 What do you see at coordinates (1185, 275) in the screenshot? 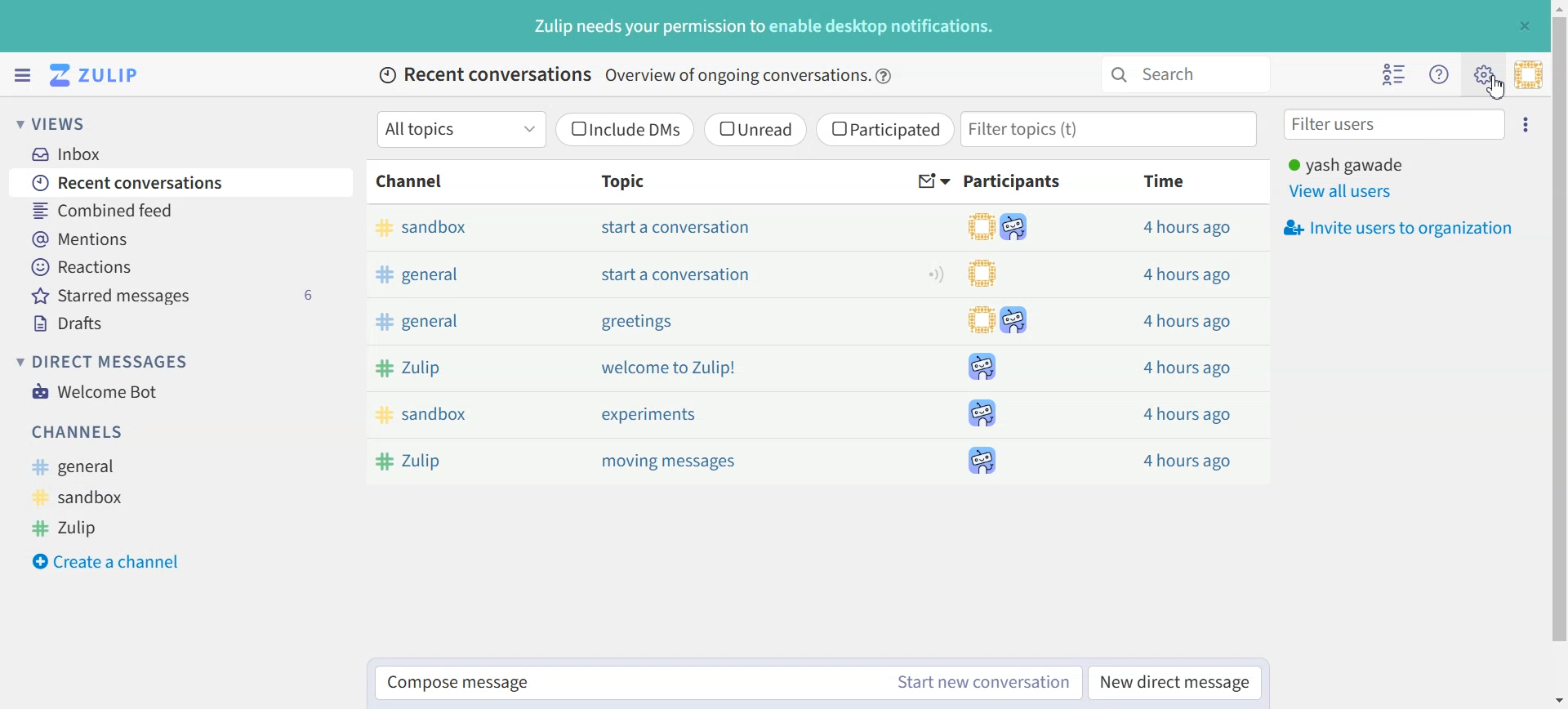
I see `4 hours ago` at bounding box center [1185, 275].